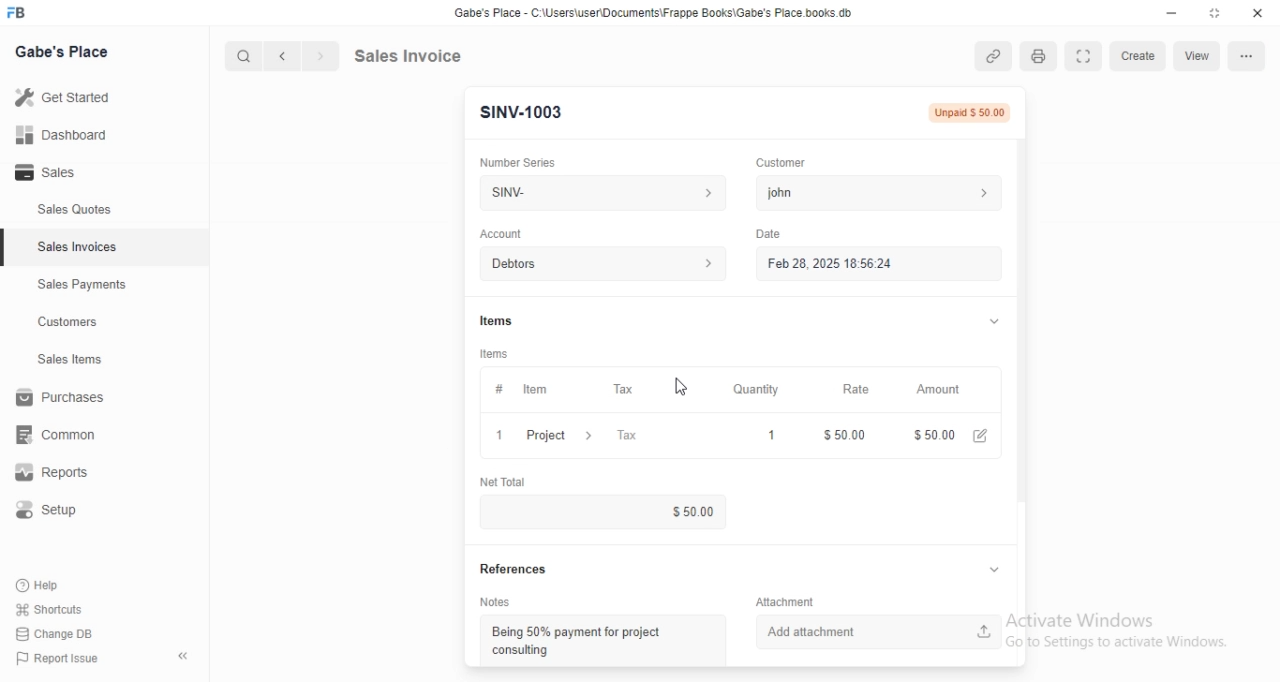  I want to click on collapse, so click(991, 321).